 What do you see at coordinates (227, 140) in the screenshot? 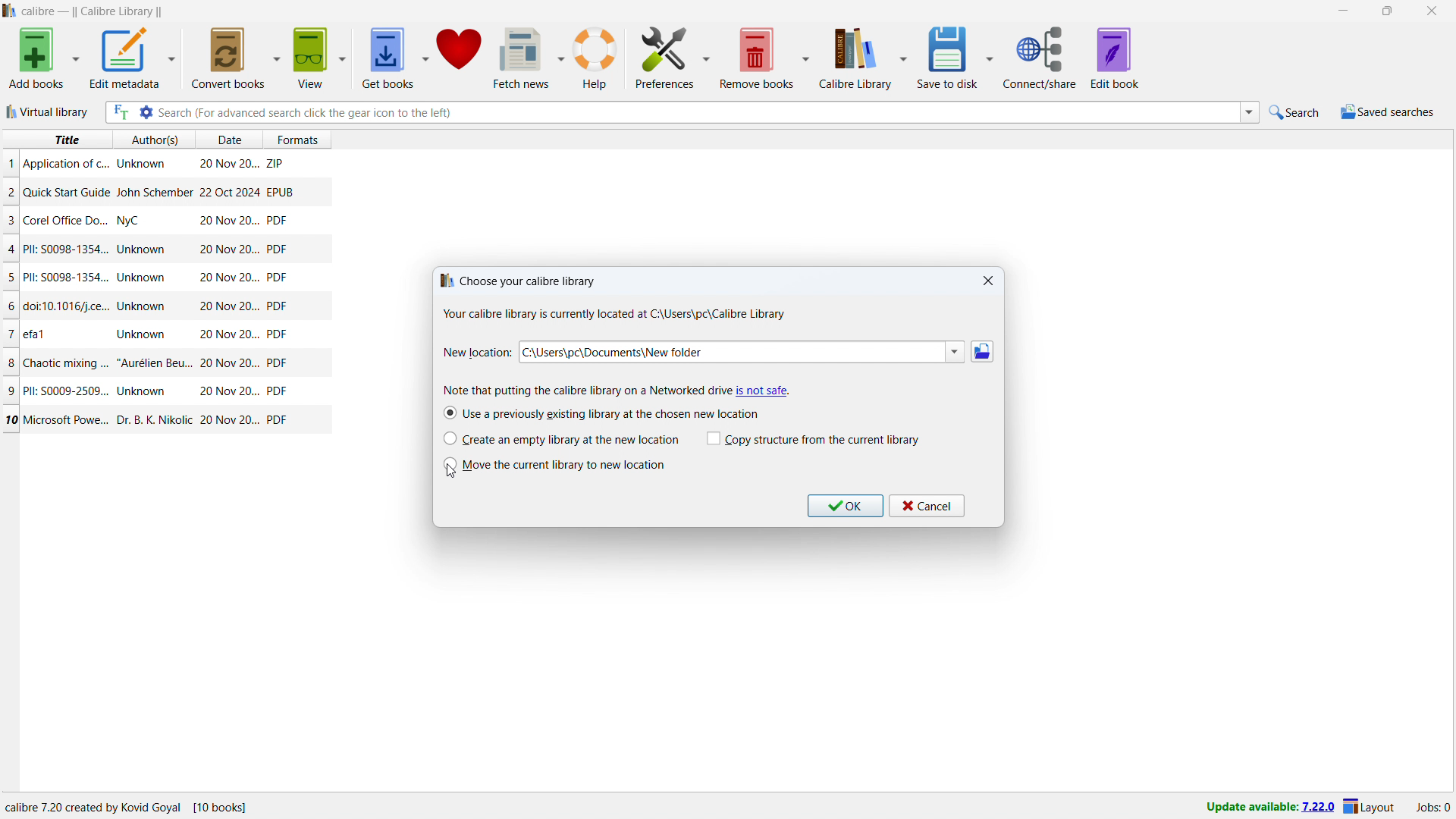
I see `date` at bounding box center [227, 140].